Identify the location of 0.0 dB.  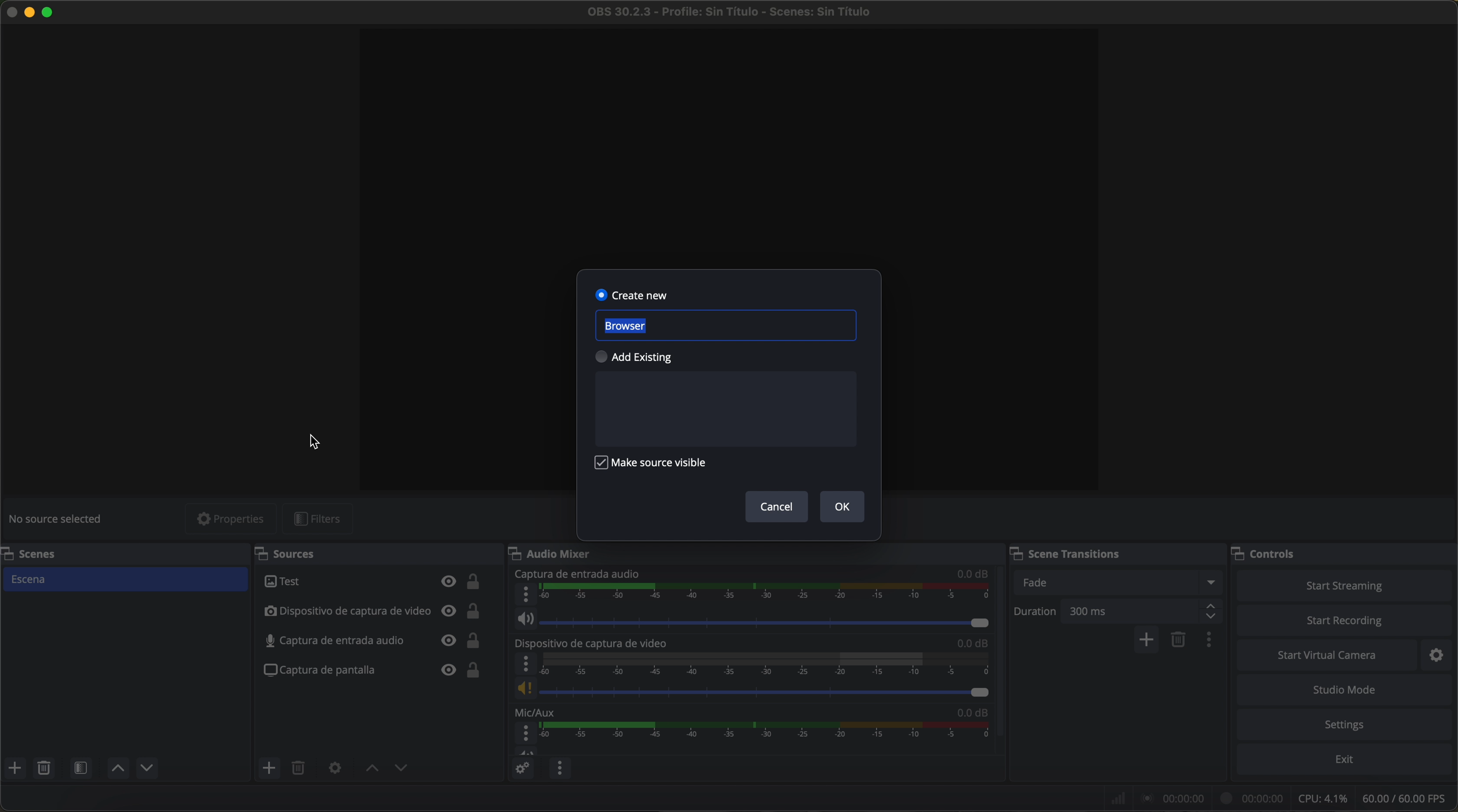
(967, 714).